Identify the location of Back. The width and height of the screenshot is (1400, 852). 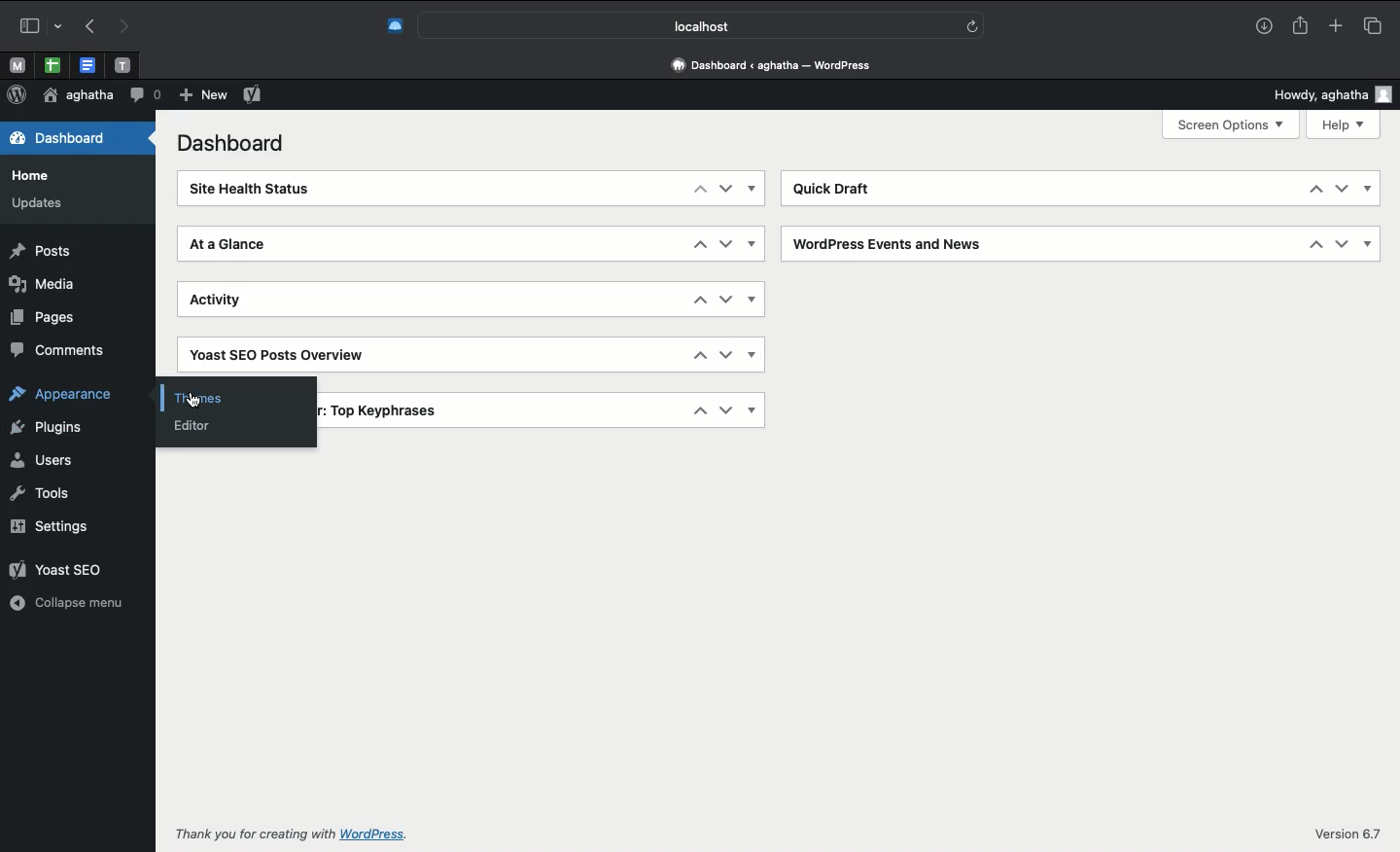
(89, 27).